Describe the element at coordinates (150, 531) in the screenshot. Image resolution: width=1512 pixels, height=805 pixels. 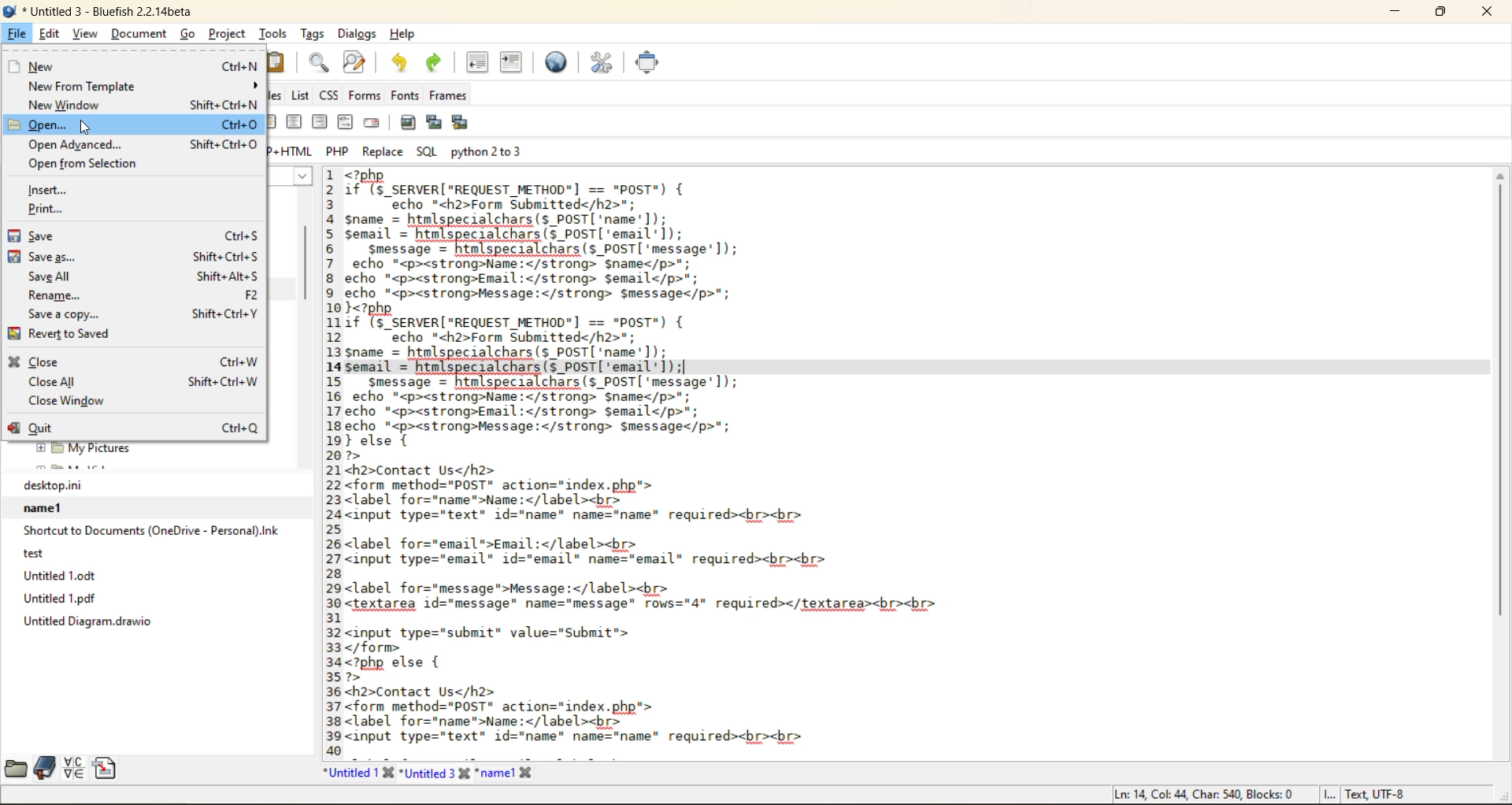
I see `Shortcut to Documents (OneDrive - Personal).lnk` at that location.